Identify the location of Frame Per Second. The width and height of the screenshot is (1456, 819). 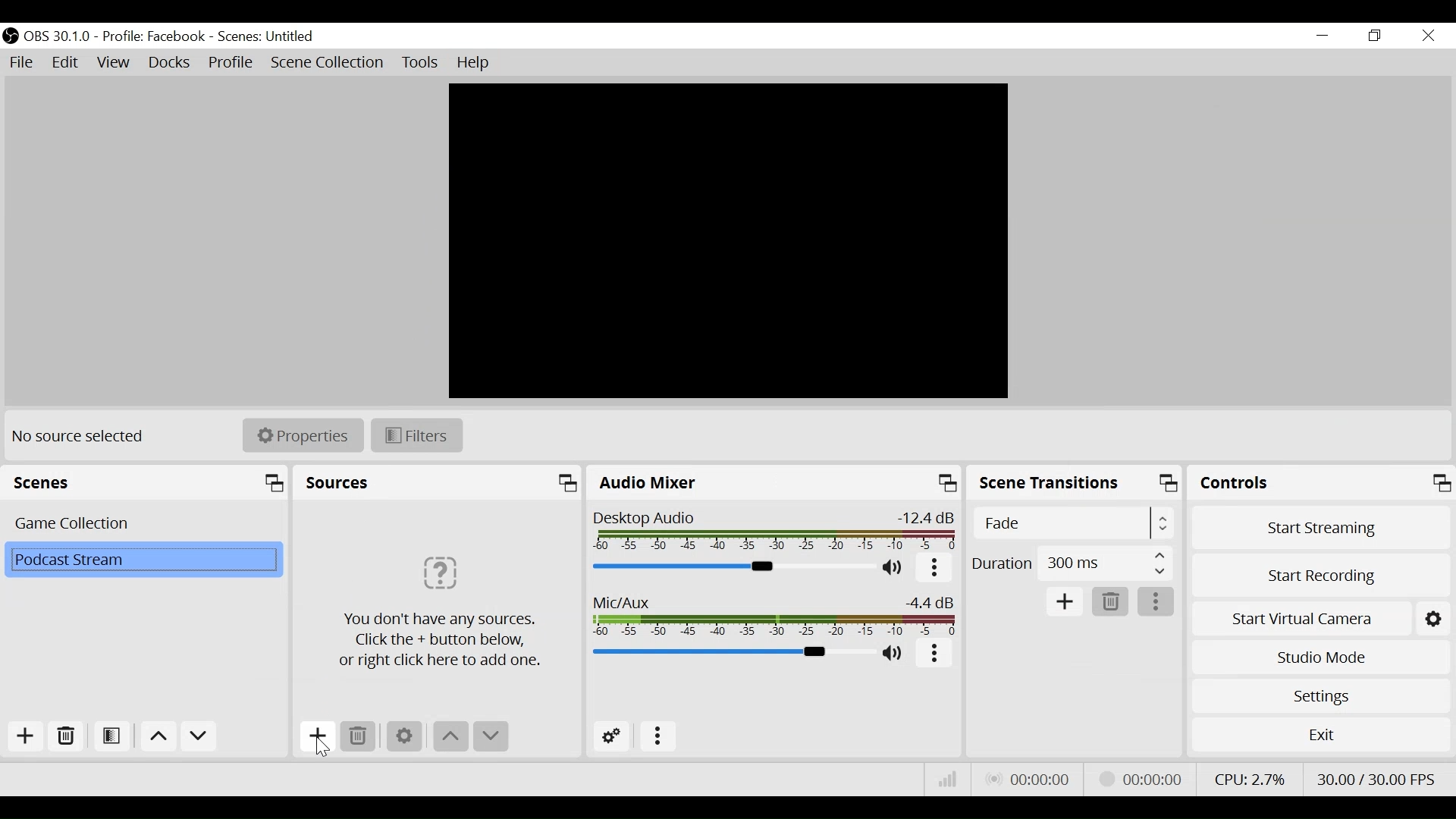
(1377, 778).